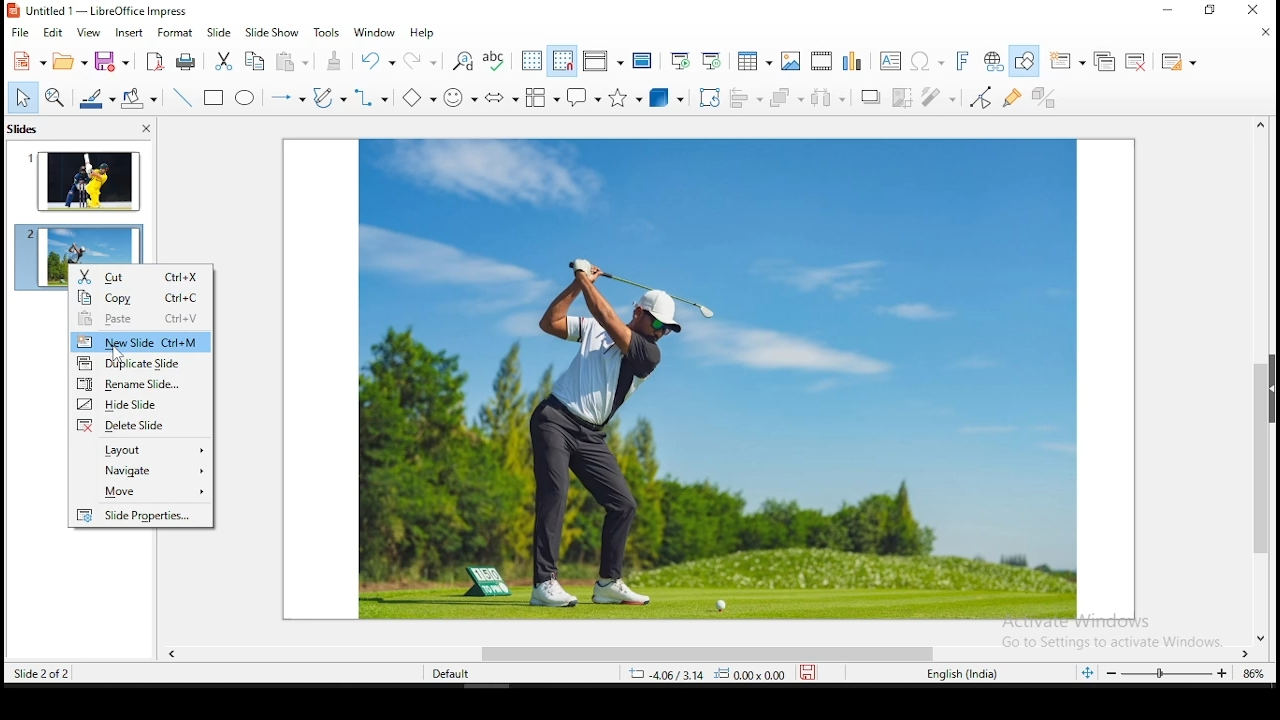  Describe the element at coordinates (141, 491) in the screenshot. I see `Move` at that location.